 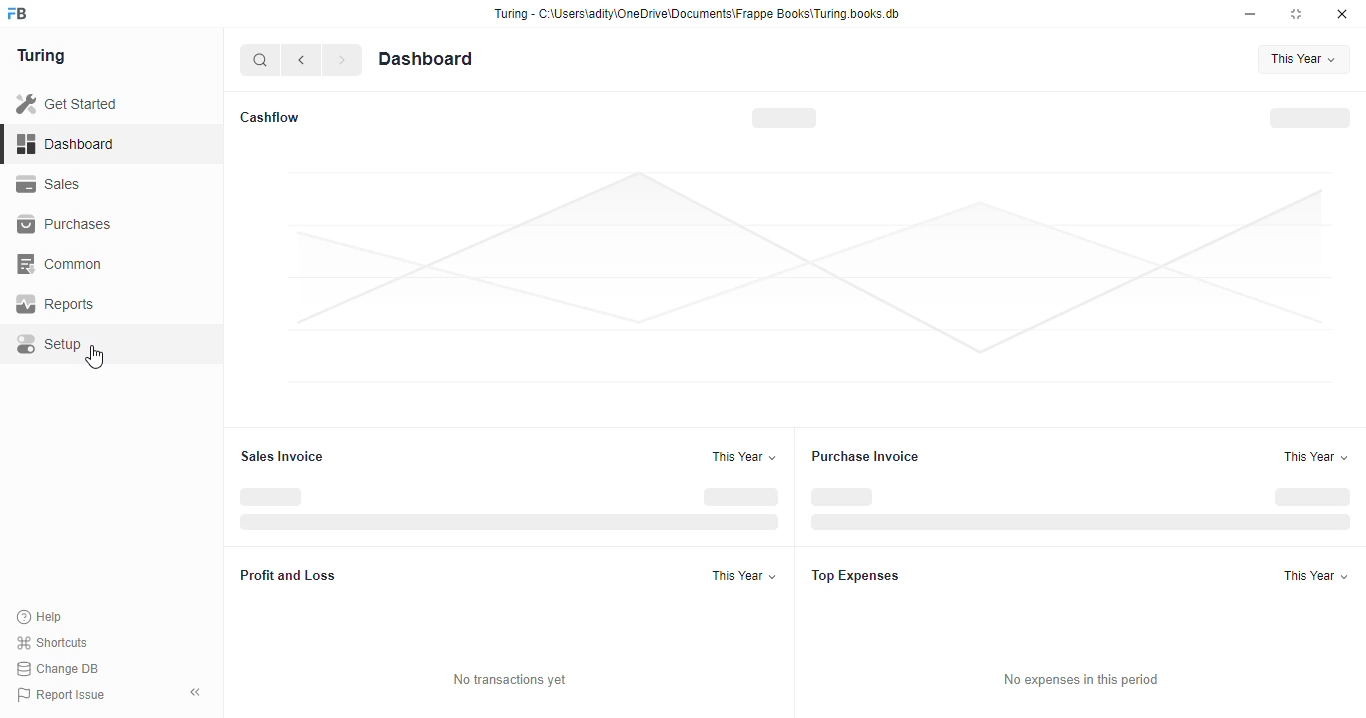 I want to click on Help, so click(x=54, y=616).